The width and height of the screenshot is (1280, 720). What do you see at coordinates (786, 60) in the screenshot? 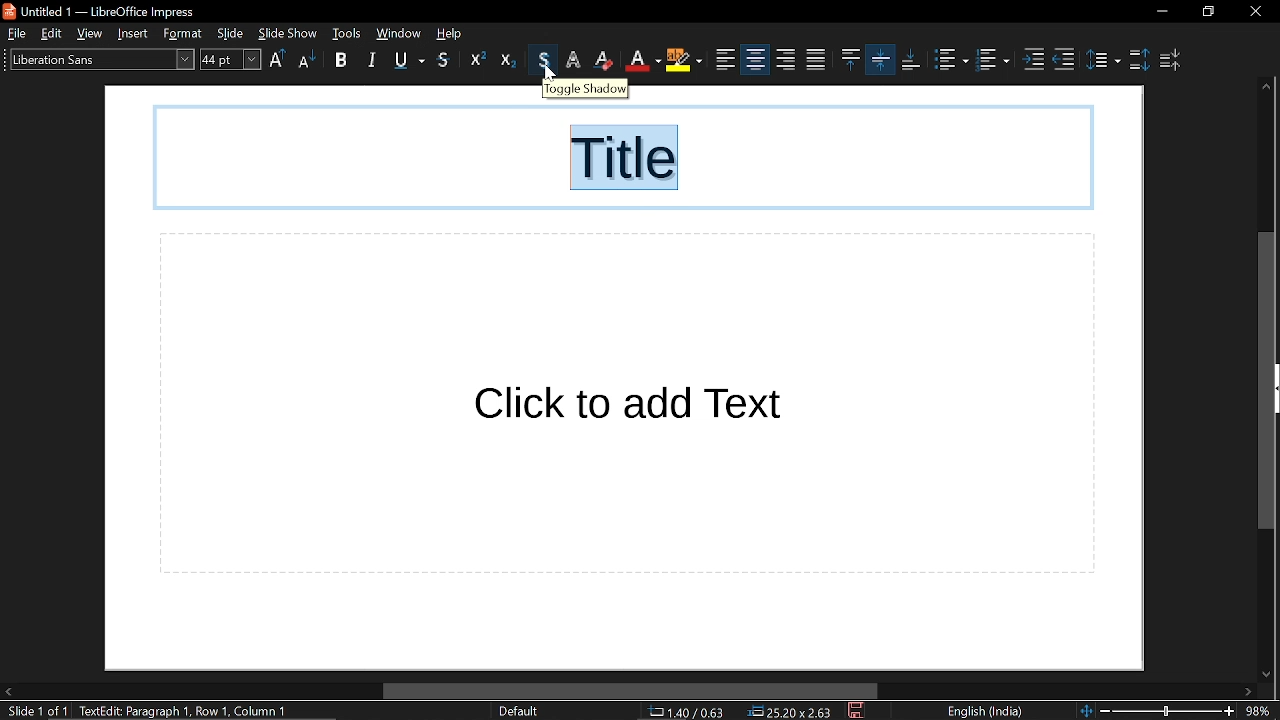
I see `justified` at bounding box center [786, 60].